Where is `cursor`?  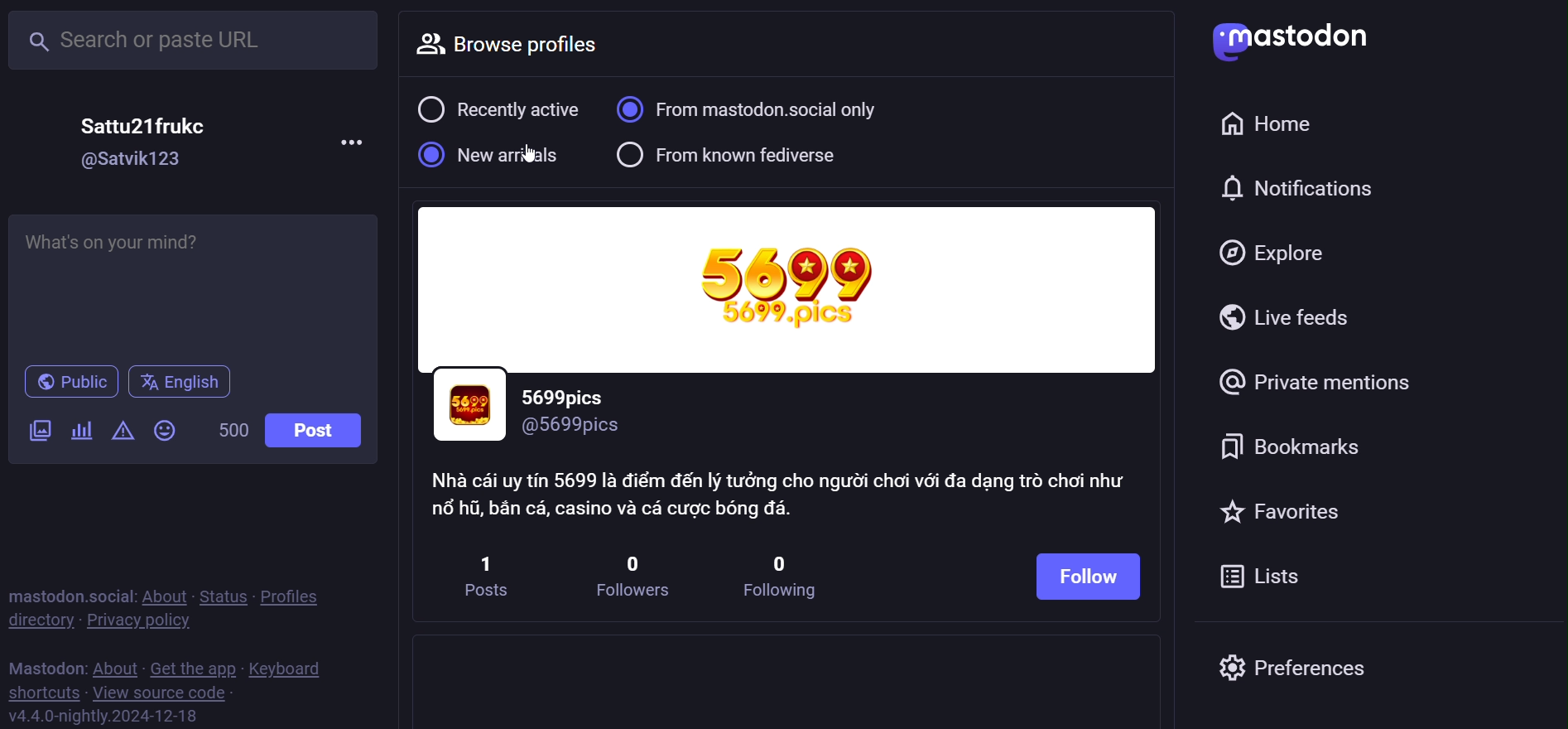
cursor is located at coordinates (535, 155).